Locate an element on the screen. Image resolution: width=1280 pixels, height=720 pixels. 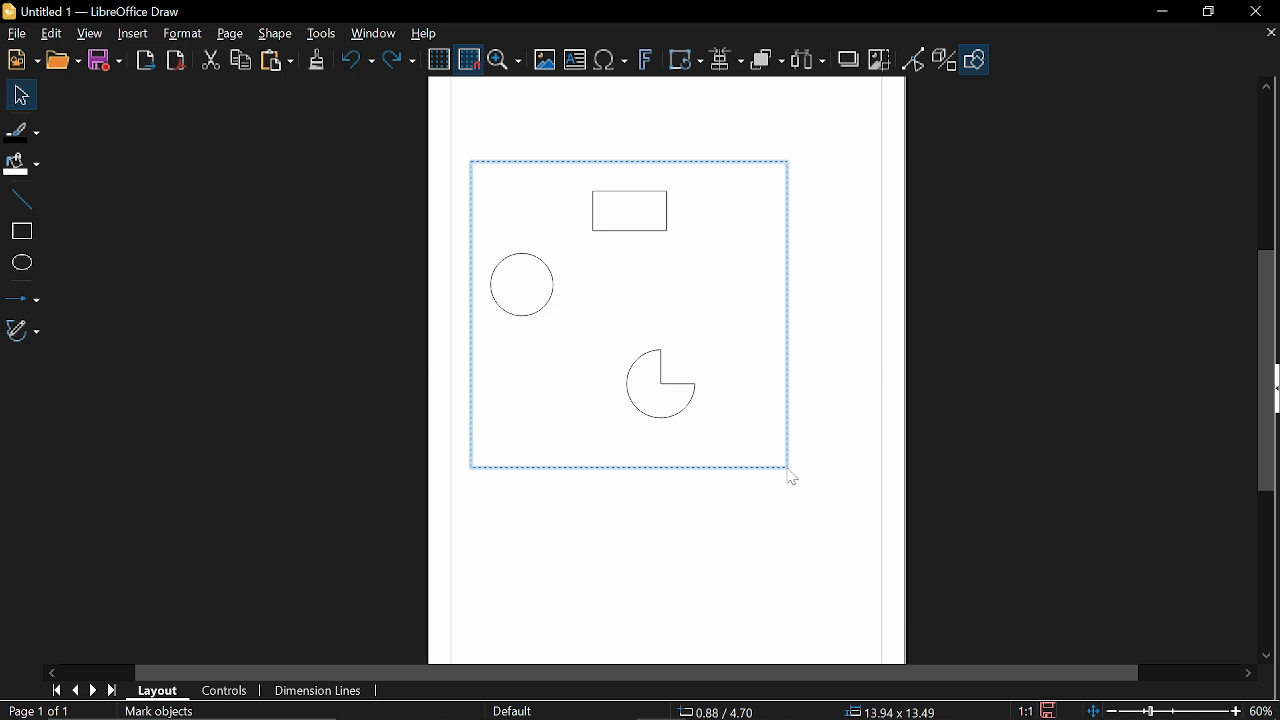
FiIl color is located at coordinates (22, 160).